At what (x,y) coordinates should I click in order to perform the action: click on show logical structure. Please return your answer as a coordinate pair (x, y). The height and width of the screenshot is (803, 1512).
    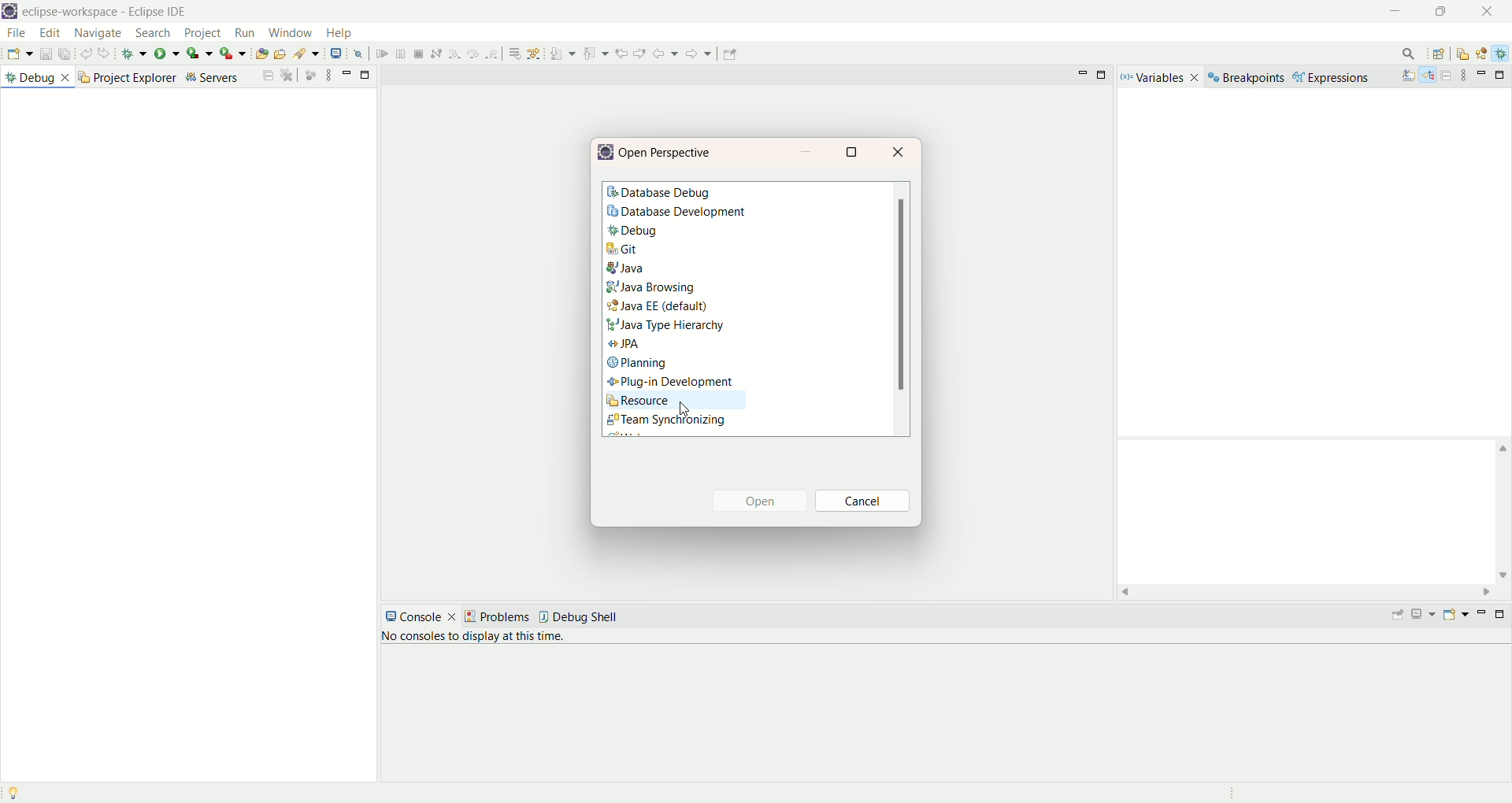
    Looking at the image, I should click on (1429, 76).